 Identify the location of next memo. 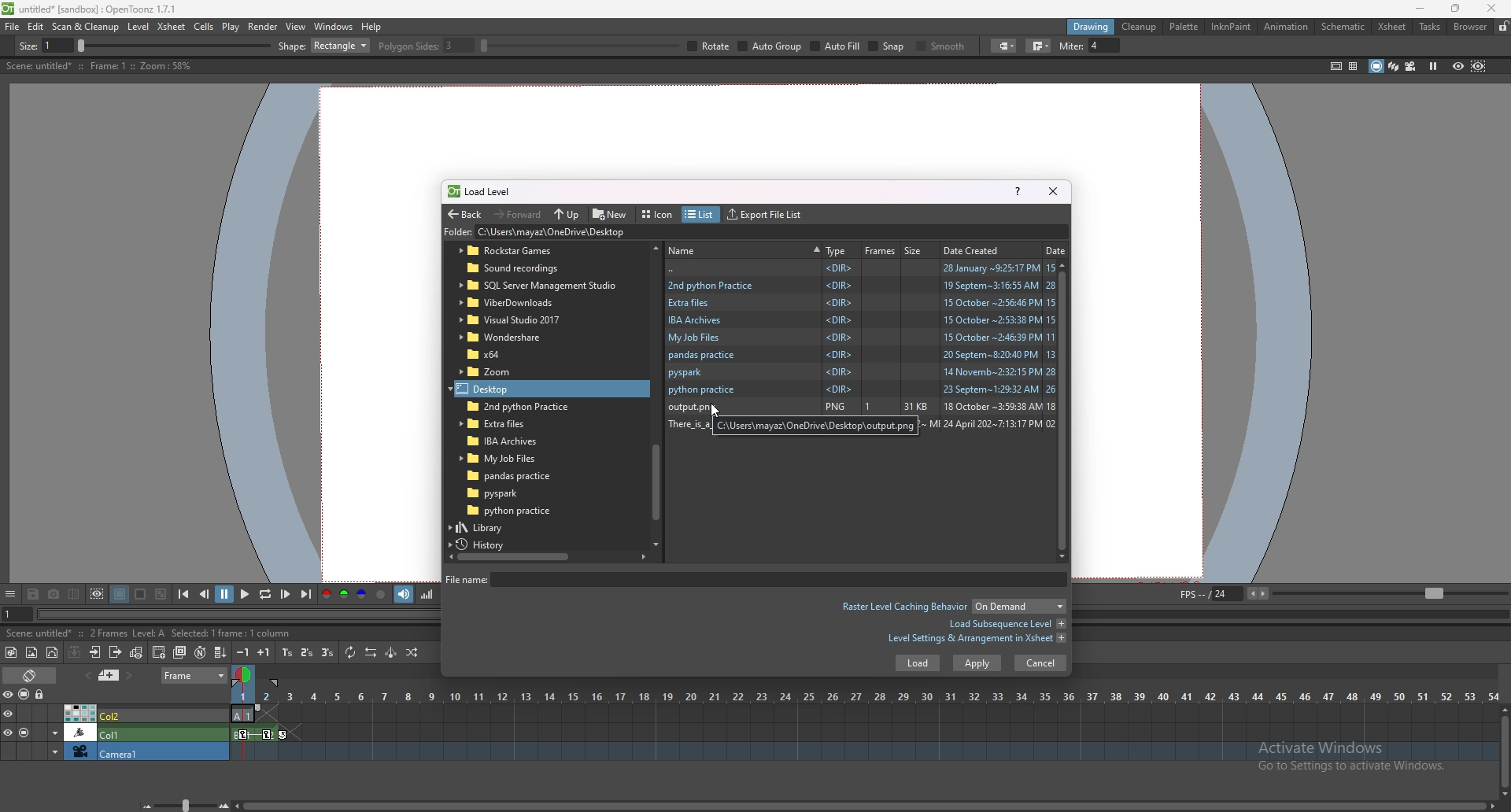
(131, 676).